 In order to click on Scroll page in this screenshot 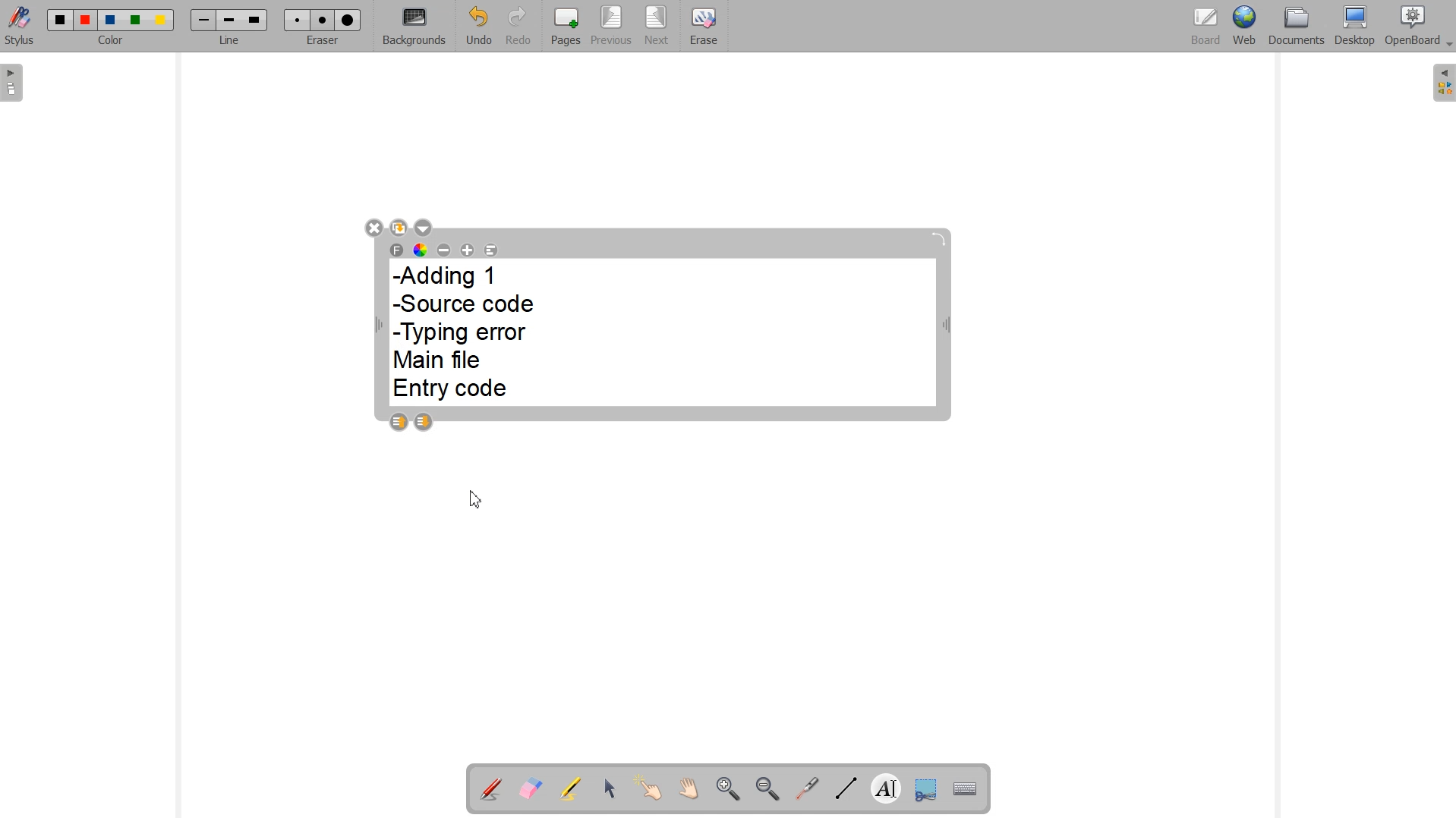, I will do `click(689, 790)`.